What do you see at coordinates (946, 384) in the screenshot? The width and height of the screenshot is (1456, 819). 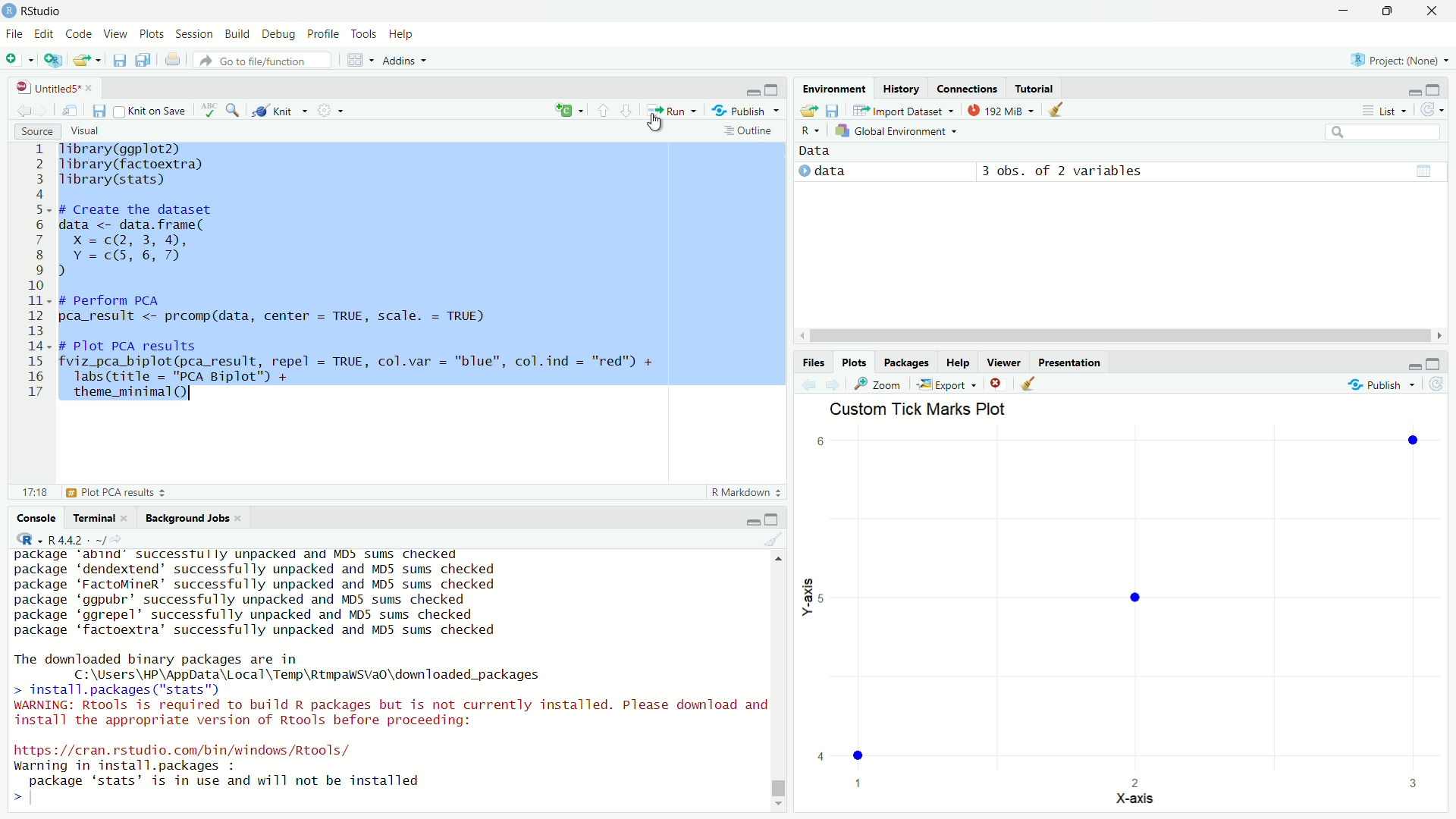 I see `export` at bounding box center [946, 384].